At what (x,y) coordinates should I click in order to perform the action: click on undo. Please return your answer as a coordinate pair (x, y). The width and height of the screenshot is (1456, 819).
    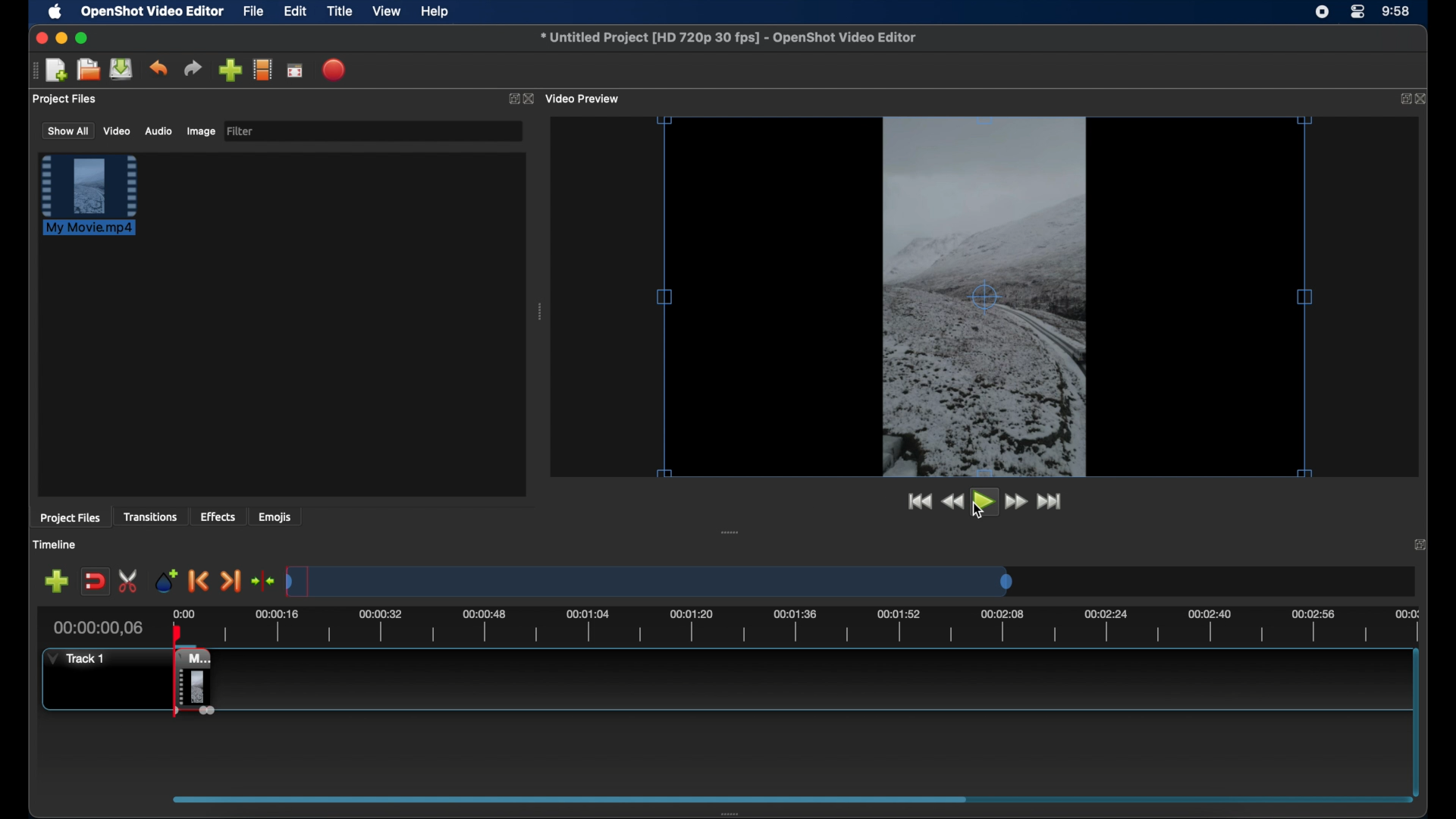
    Looking at the image, I should click on (158, 68).